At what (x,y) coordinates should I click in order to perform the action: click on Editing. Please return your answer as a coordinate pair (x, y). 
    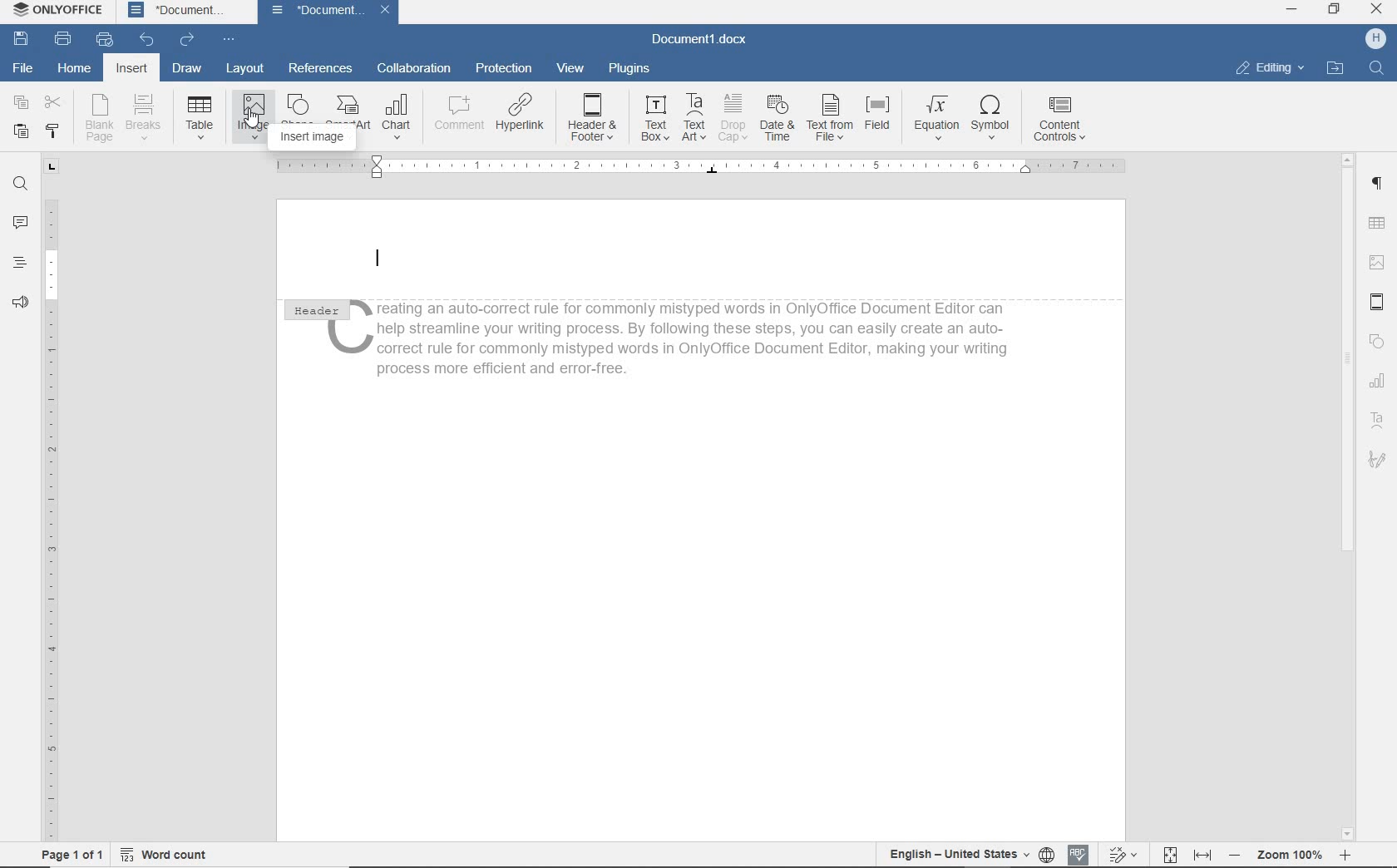
    Looking at the image, I should click on (1266, 68).